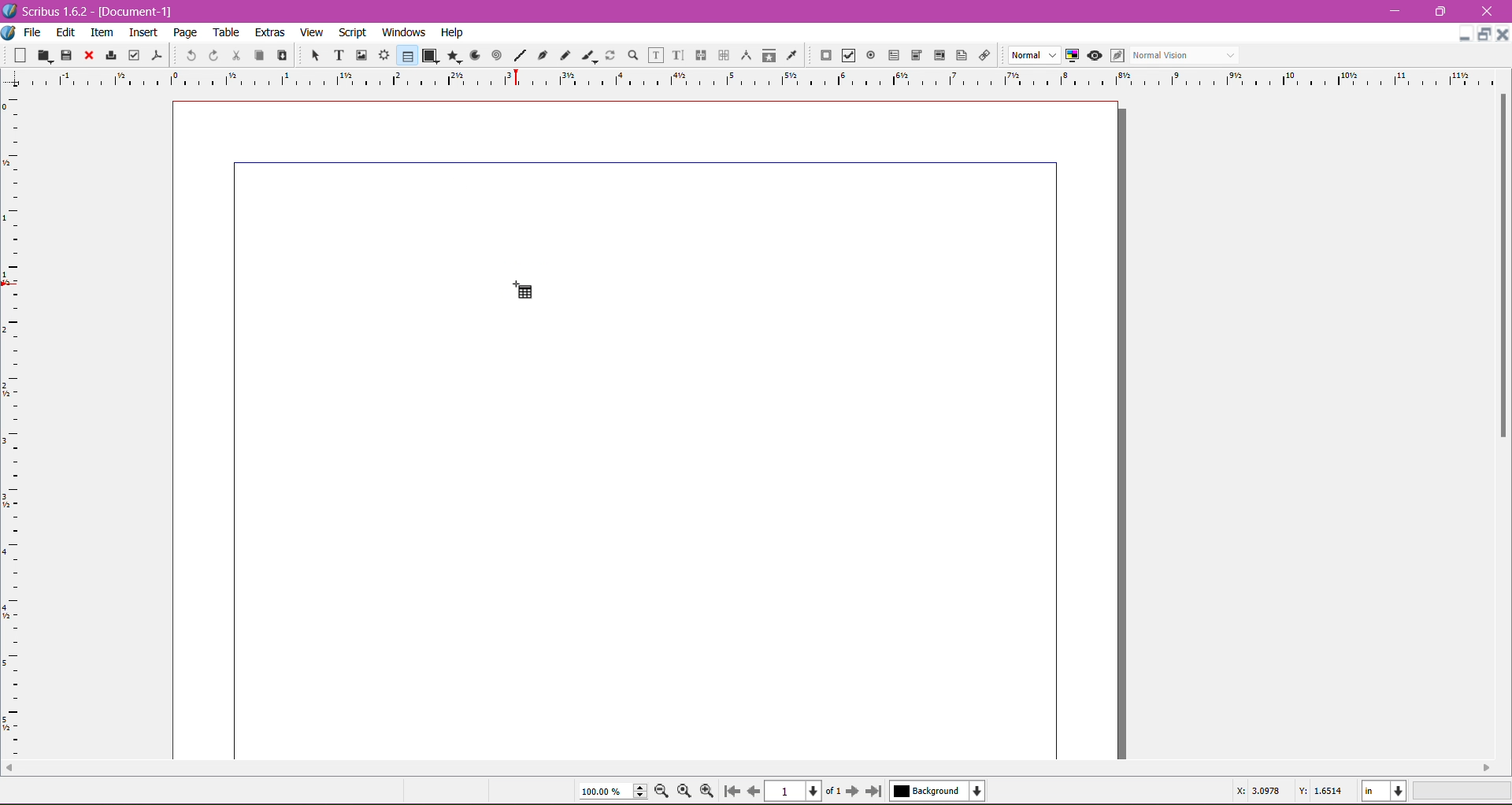  What do you see at coordinates (87, 56) in the screenshot?
I see `Close` at bounding box center [87, 56].